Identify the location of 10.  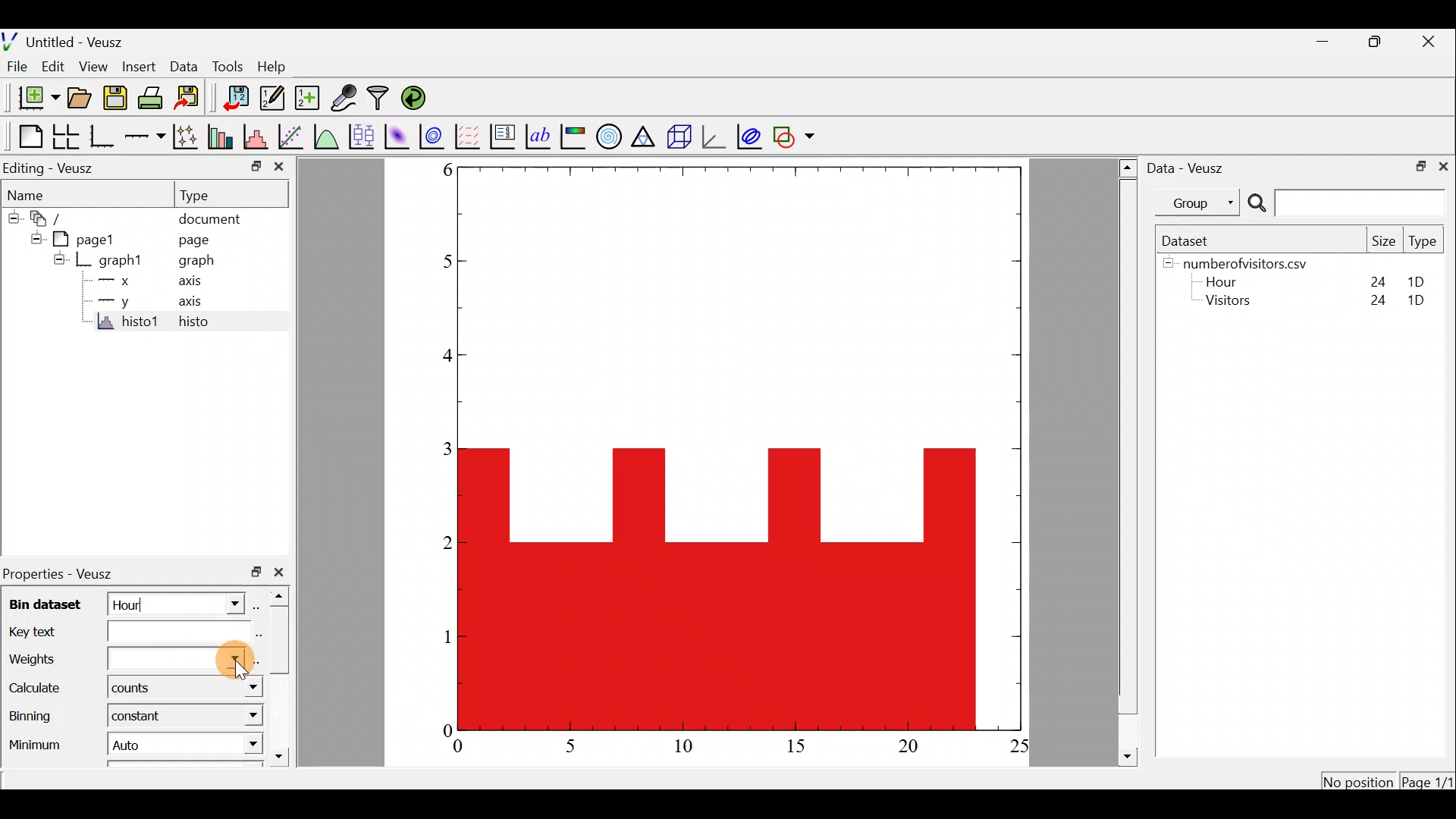
(689, 747).